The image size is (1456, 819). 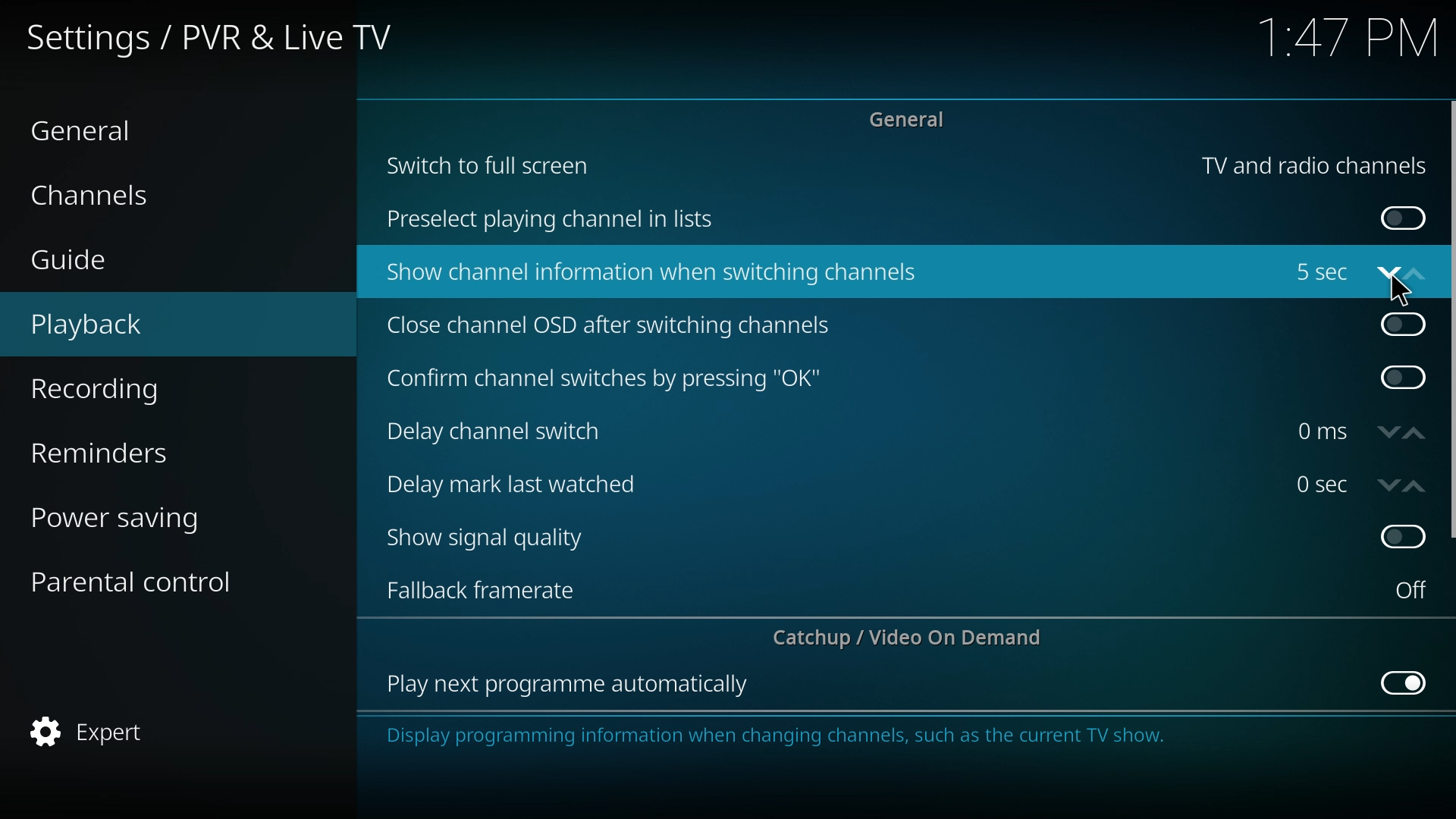 What do you see at coordinates (556, 221) in the screenshot?
I see `preselect plating channel in lists` at bounding box center [556, 221].